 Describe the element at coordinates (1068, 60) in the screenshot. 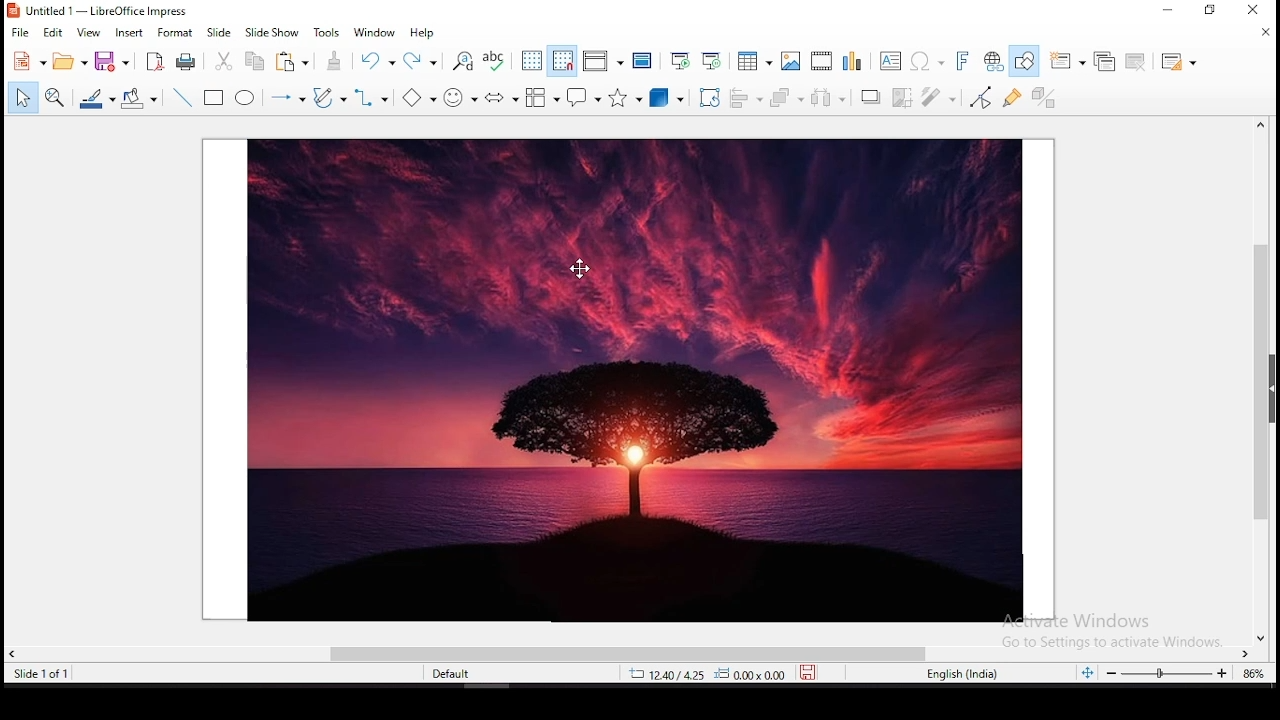

I see `new slide` at that location.